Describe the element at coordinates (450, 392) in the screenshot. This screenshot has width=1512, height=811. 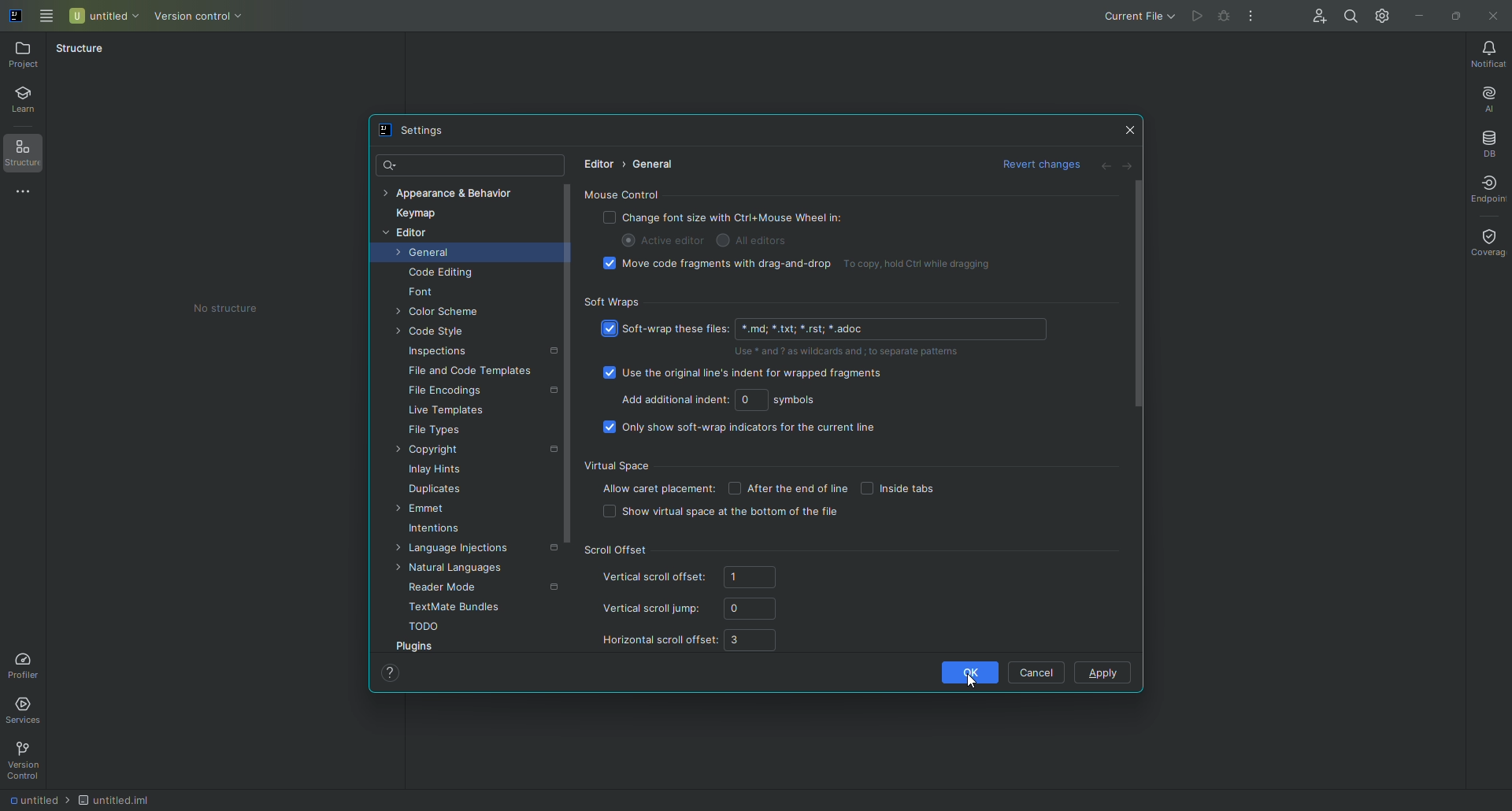
I see `File Encodings` at that location.